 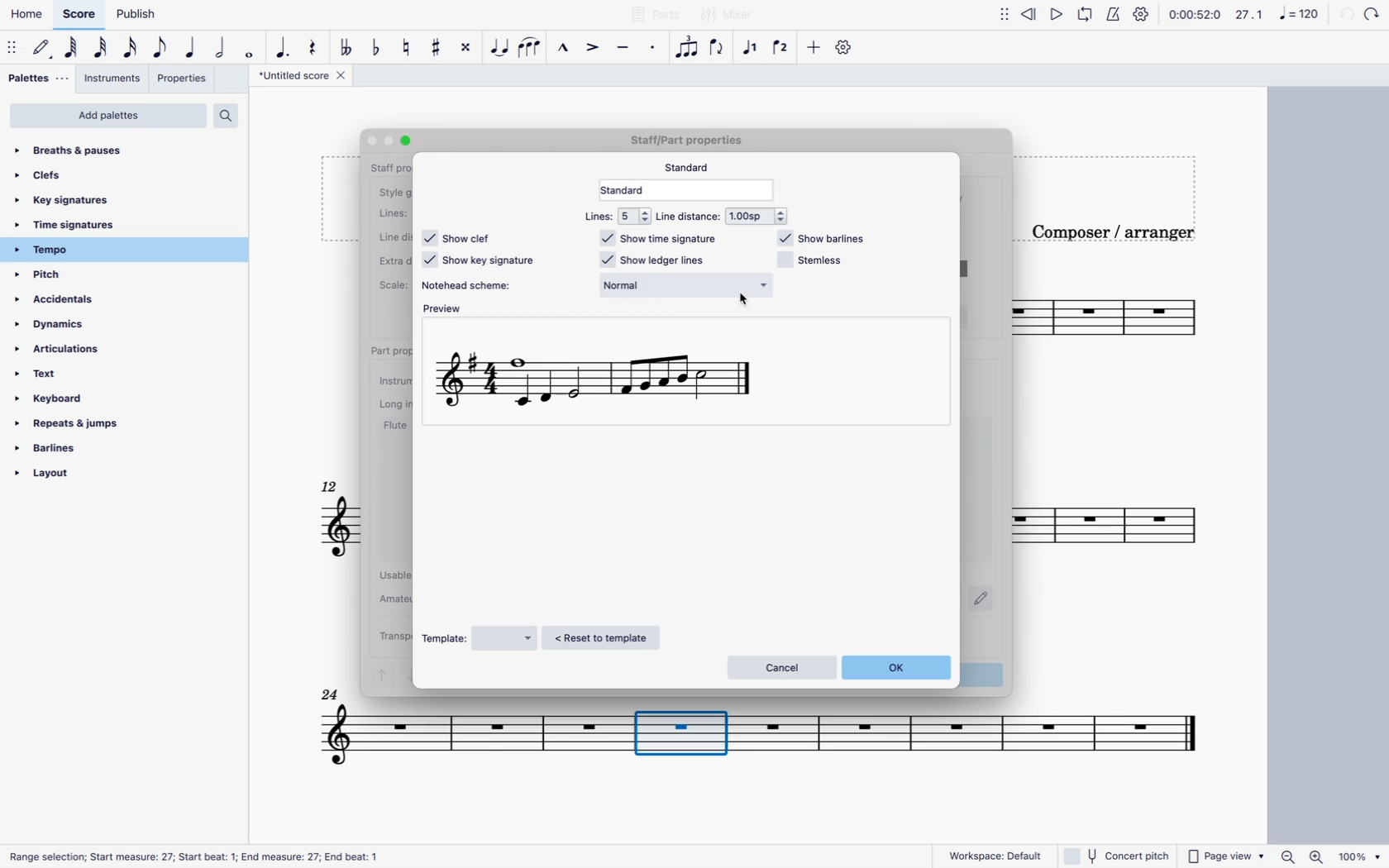 I want to click on , so click(x=371, y=143).